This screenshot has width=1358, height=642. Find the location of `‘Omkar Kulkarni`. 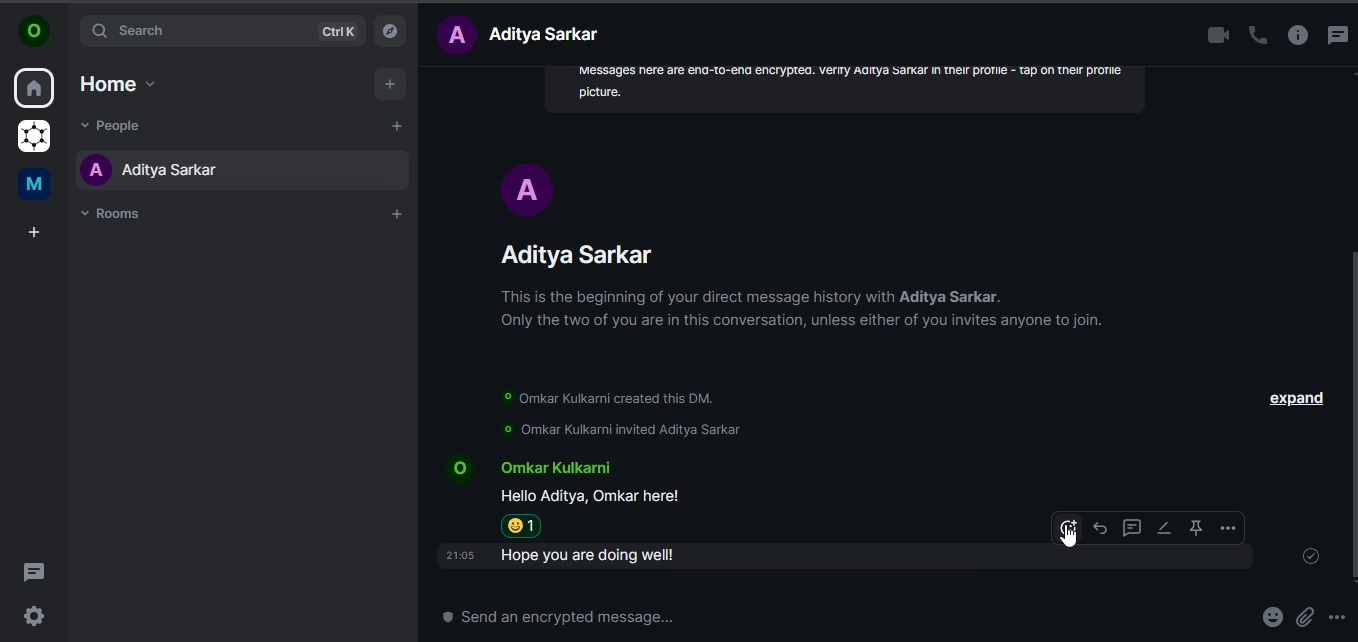

‘Omkar Kulkarni is located at coordinates (553, 470).